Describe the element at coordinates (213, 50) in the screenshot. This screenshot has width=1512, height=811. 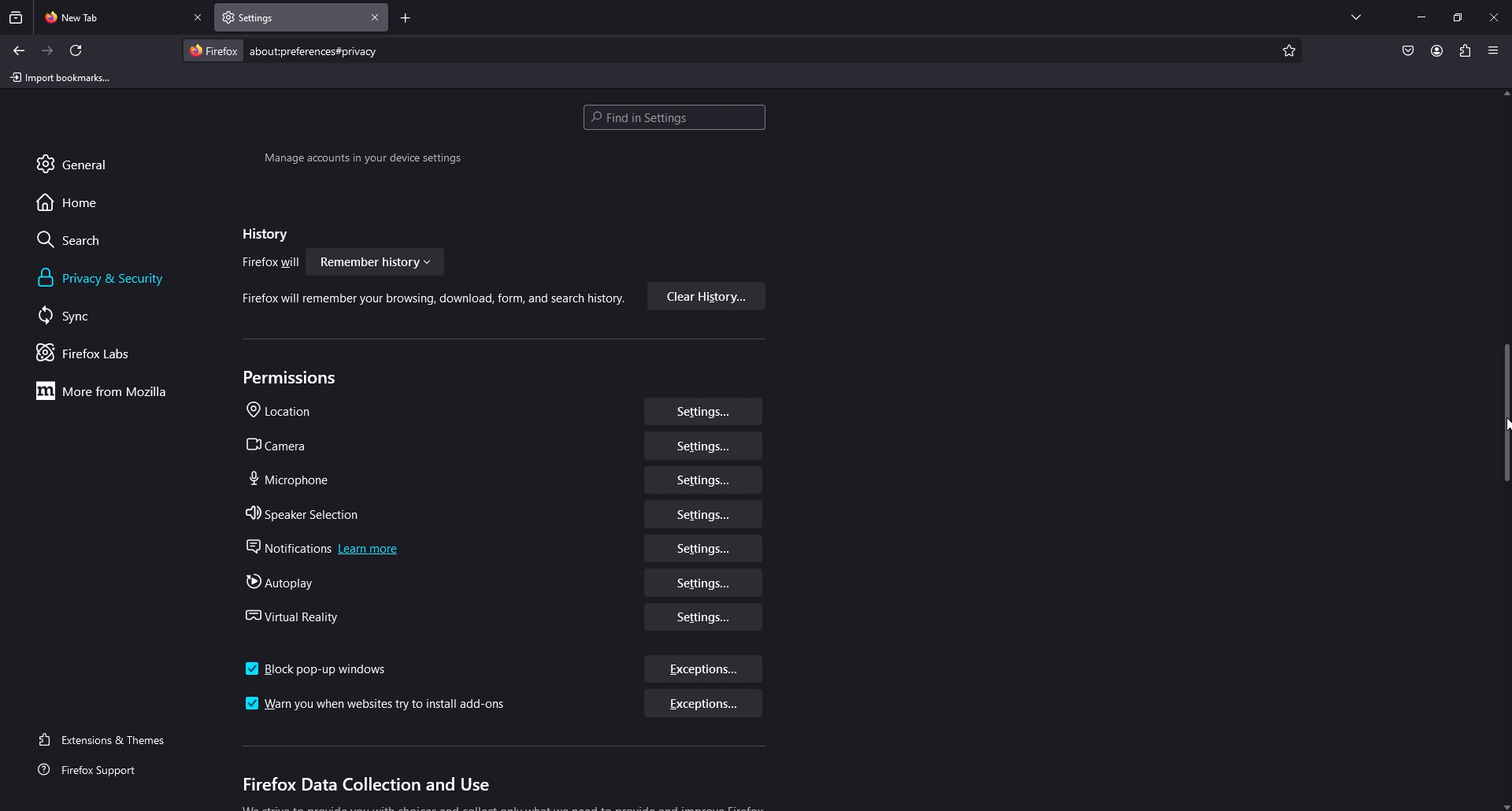
I see `firefox logo` at that location.